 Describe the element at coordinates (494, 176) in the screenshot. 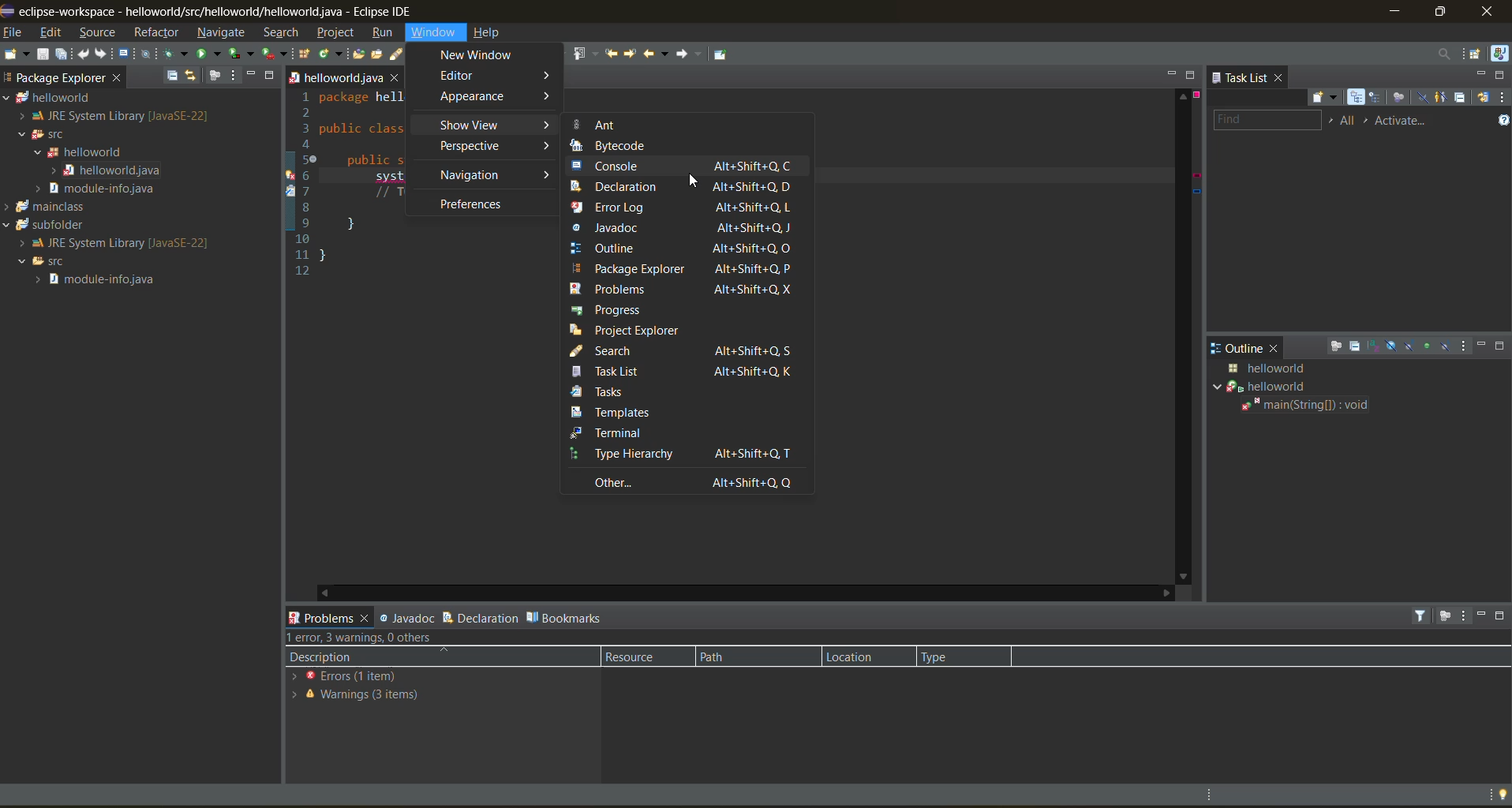

I see `navigation` at that location.